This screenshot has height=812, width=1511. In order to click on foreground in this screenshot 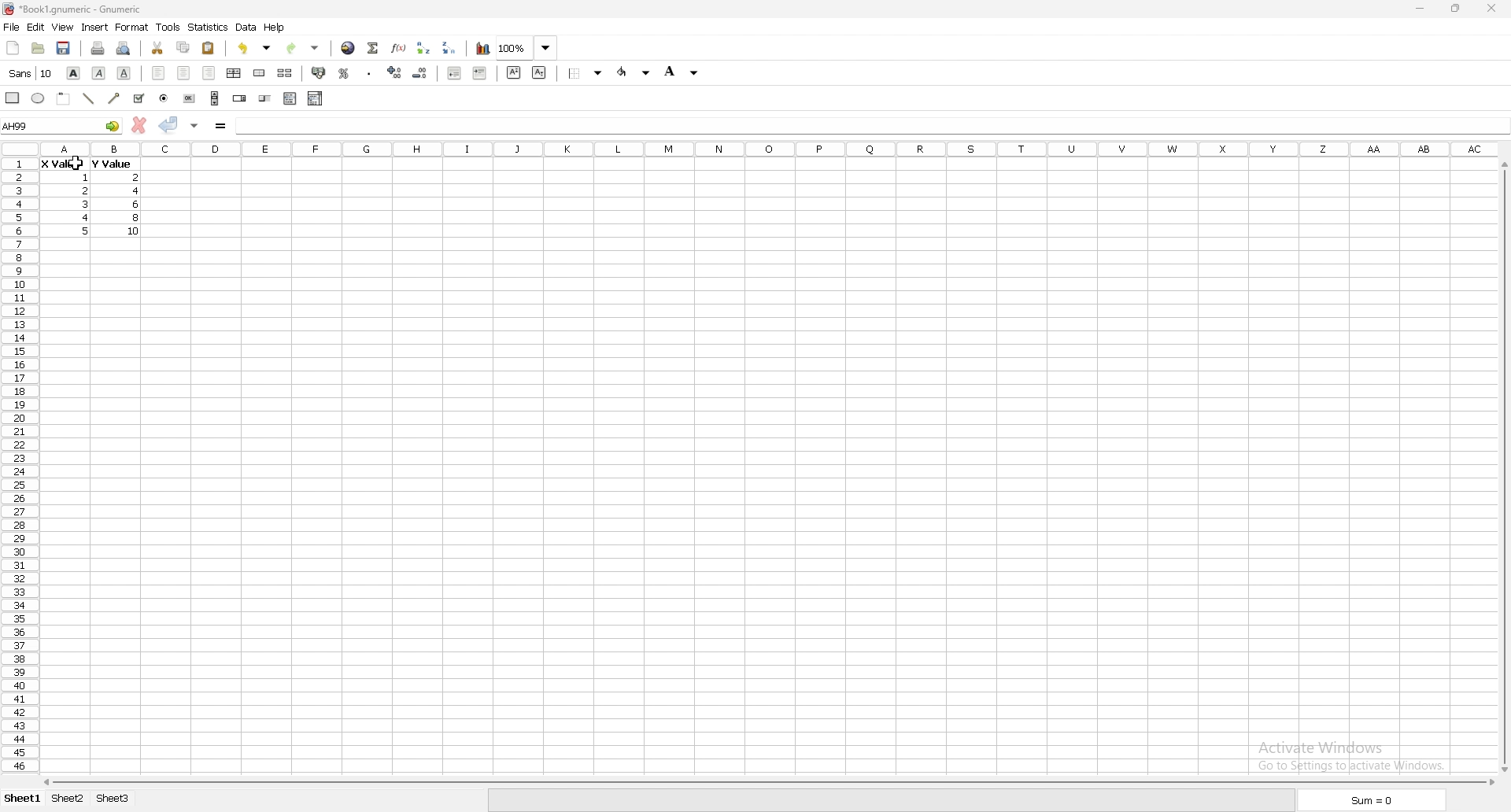, I will do `click(635, 72)`.